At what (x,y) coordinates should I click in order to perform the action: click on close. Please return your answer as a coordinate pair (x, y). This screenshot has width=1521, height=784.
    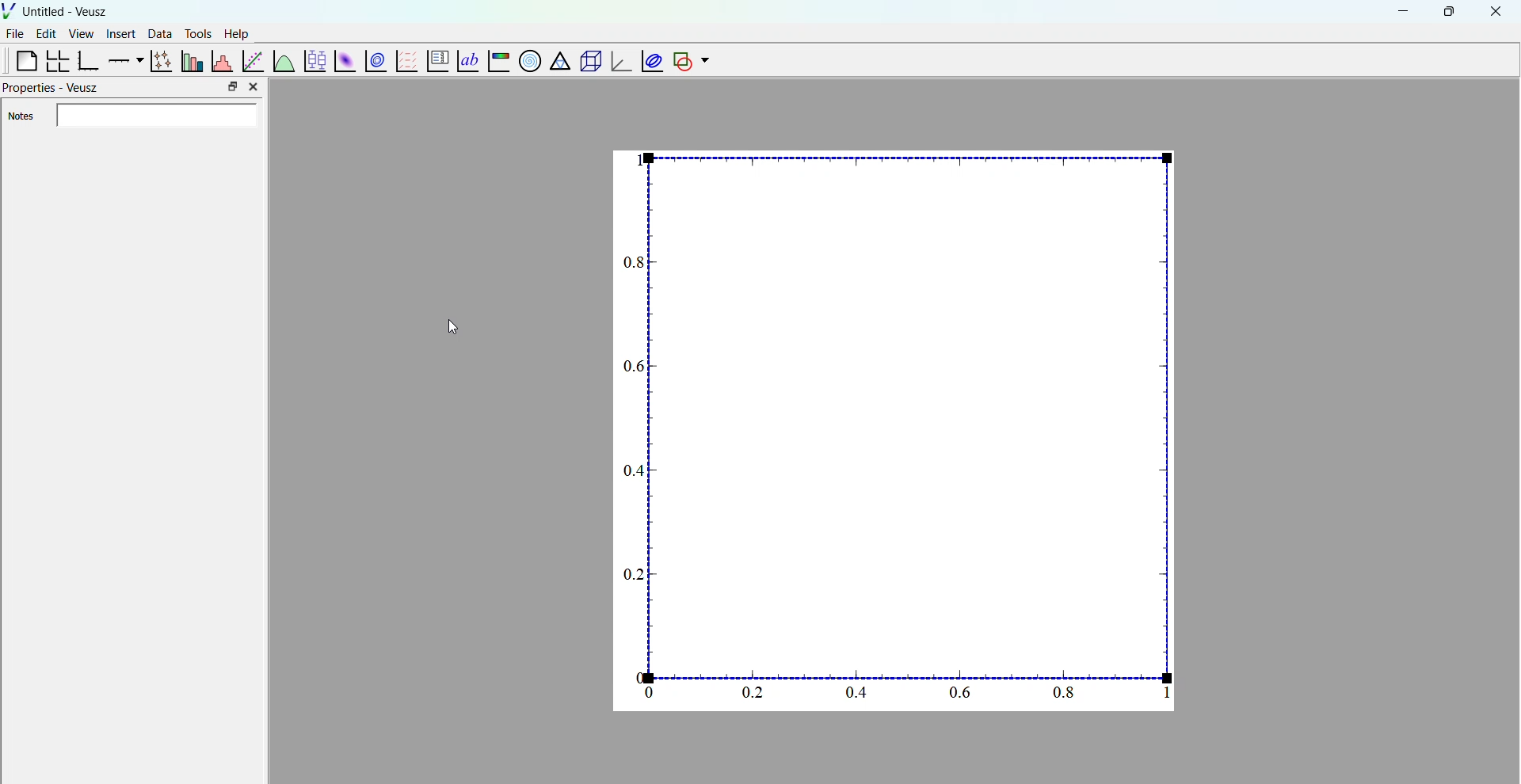
    Looking at the image, I should click on (1496, 12).